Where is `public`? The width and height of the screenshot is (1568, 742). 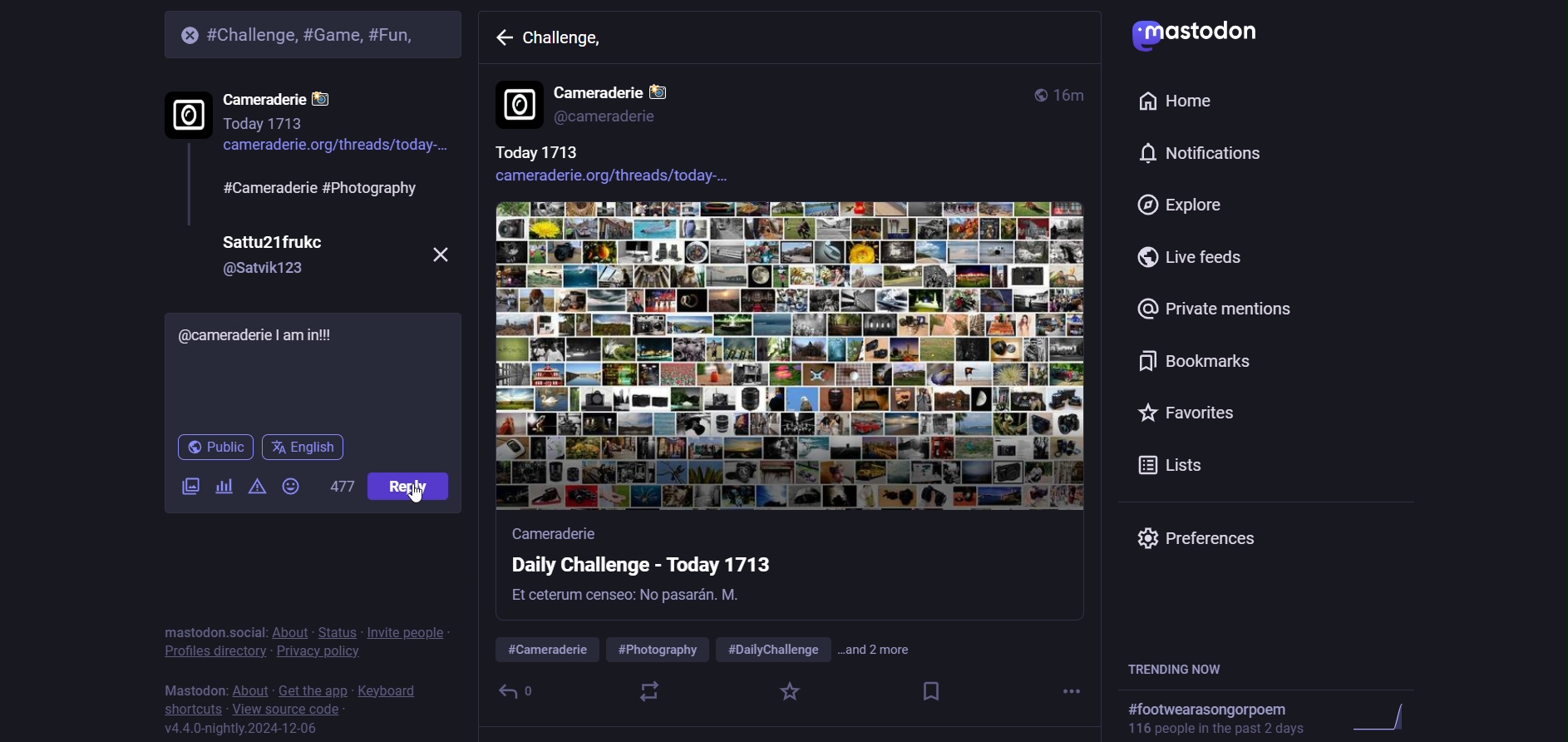 public is located at coordinates (1036, 92).